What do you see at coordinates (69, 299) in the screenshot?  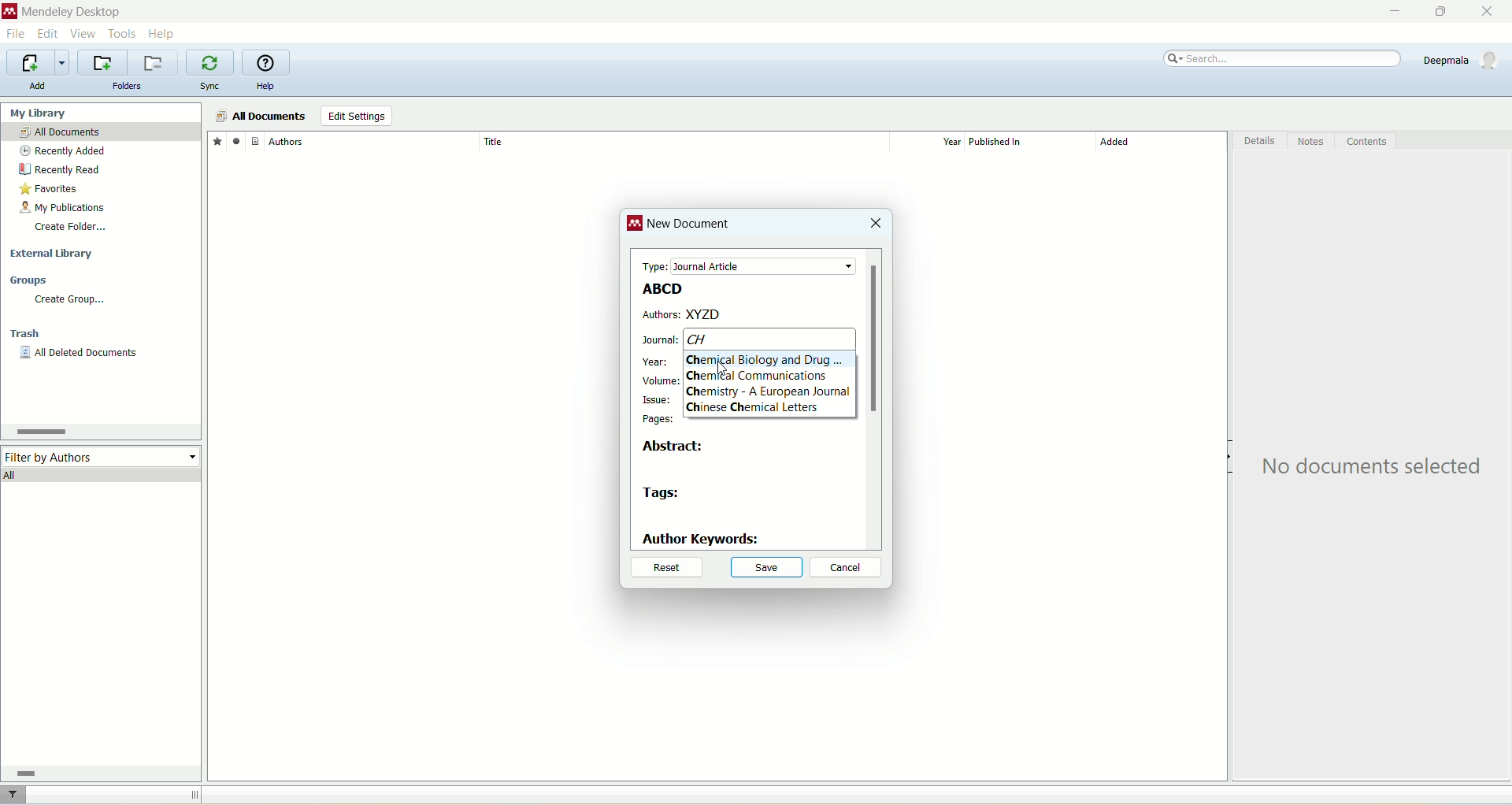 I see `create group` at bounding box center [69, 299].